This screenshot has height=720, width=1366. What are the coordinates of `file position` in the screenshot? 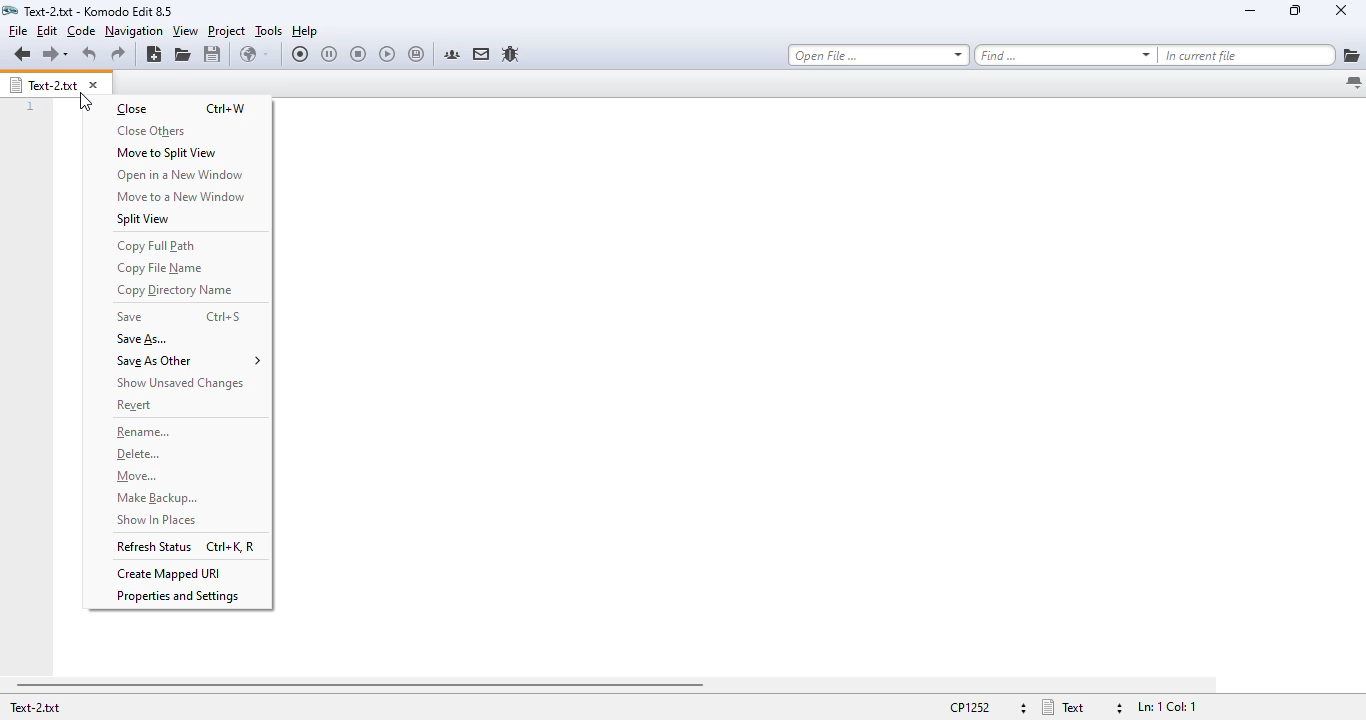 It's located at (1165, 707).